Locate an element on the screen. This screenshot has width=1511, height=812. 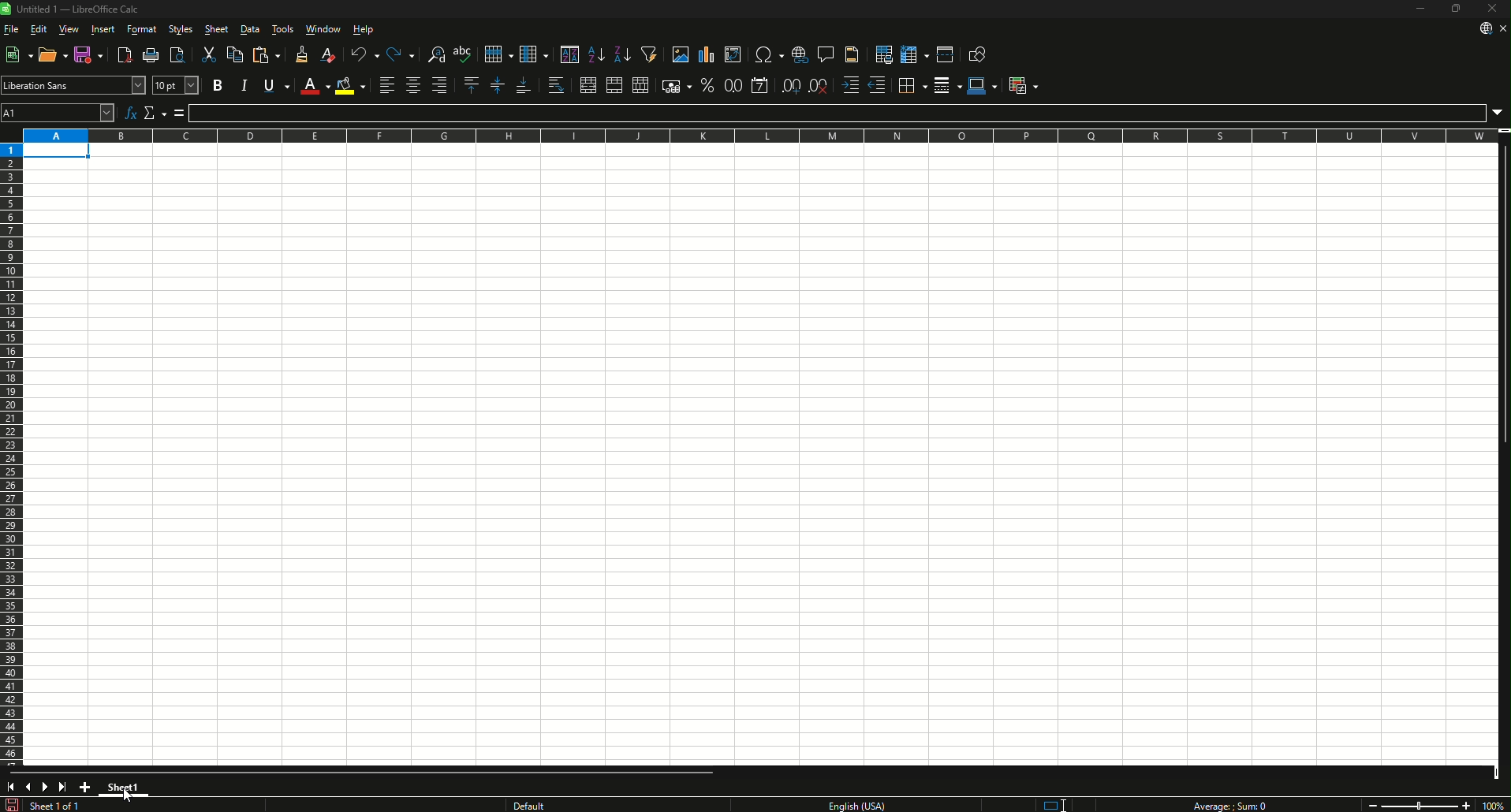
Align Right is located at coordinates (439, 85).